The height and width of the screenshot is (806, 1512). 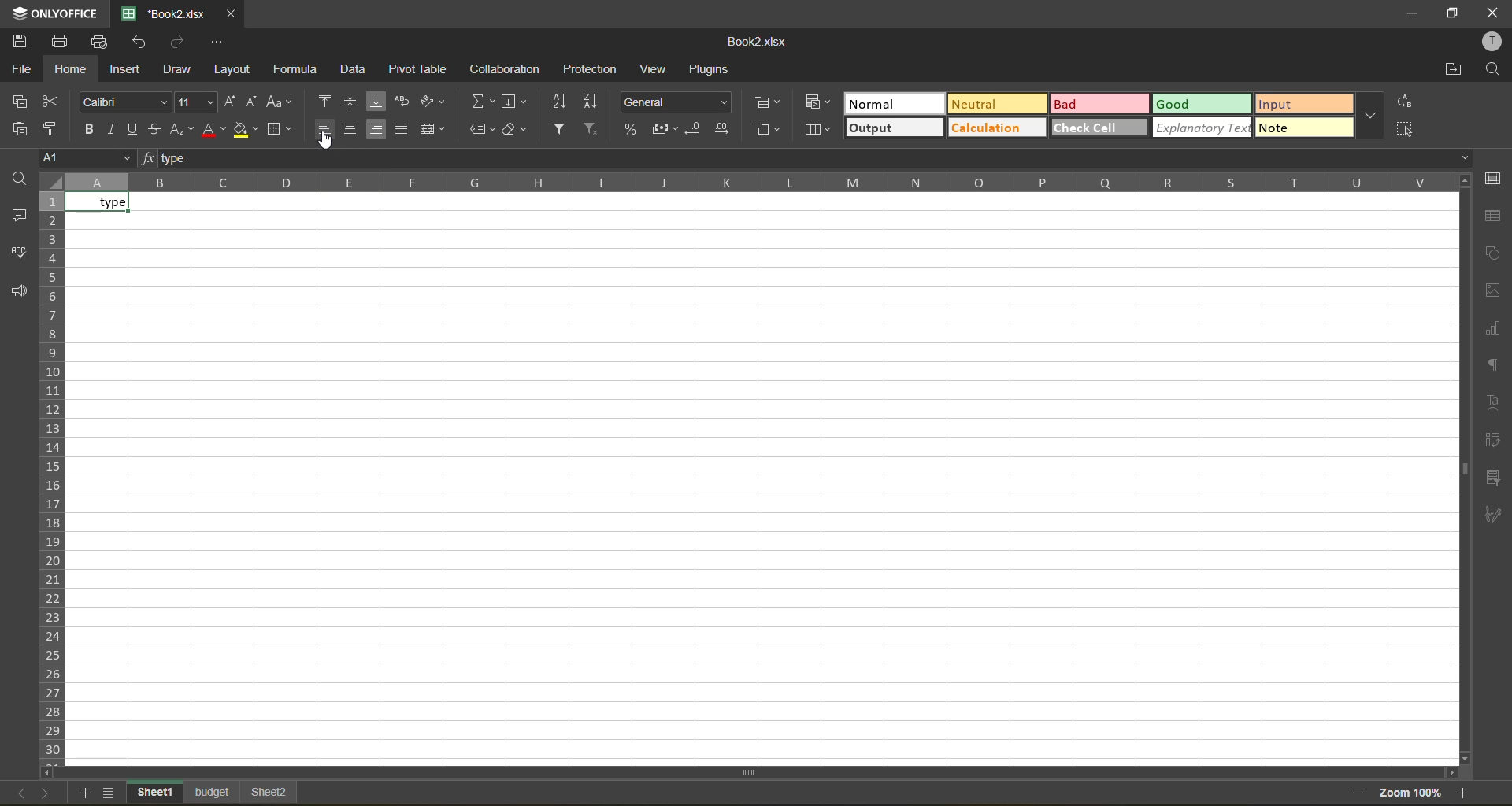 What do you see at coordinates (1493, 179) in the screenshot?
I see `cell settings` at bounding box center [1493, 179].